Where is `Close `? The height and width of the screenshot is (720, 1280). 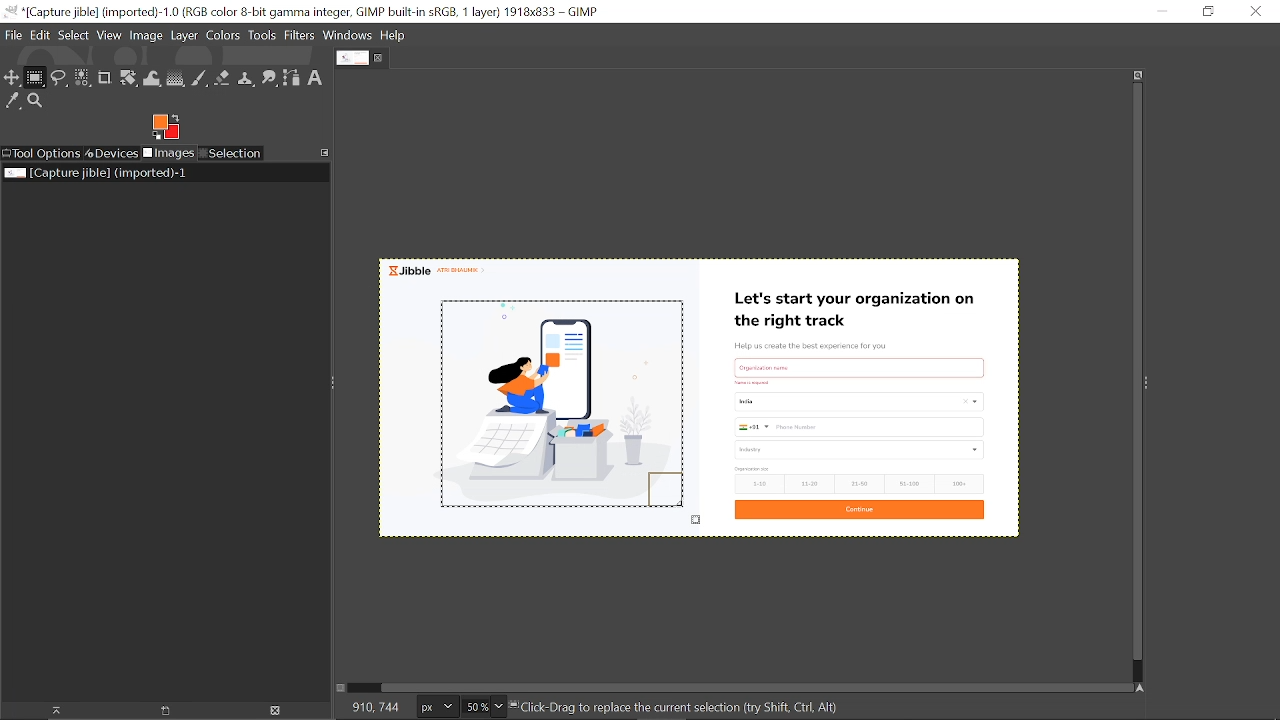 Close  is located at coordinates (1257, 11).